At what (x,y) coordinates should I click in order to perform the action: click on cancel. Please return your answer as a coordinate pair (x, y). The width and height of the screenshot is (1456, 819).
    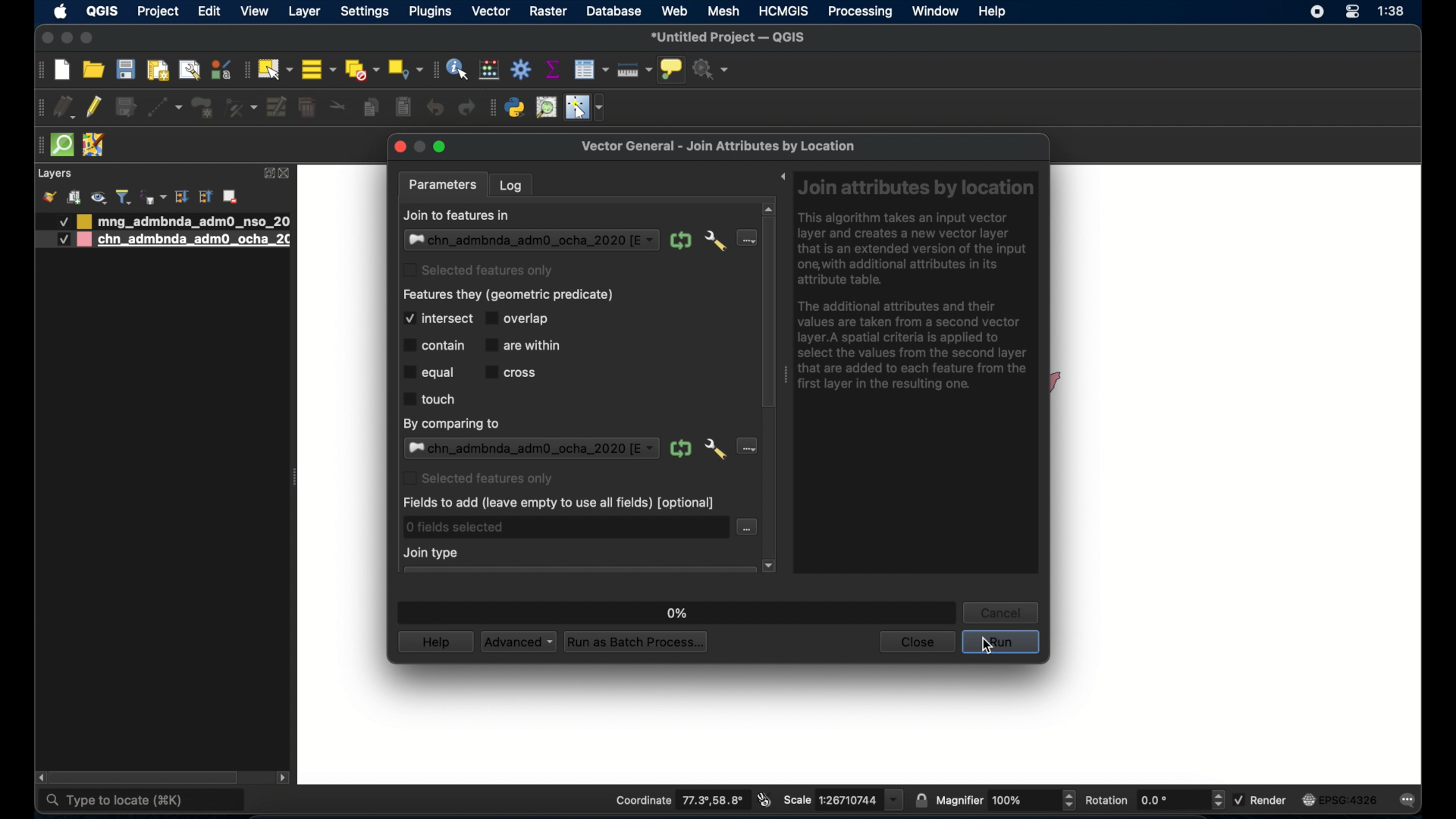
    Looking at the image, I should click on (1002, 612).